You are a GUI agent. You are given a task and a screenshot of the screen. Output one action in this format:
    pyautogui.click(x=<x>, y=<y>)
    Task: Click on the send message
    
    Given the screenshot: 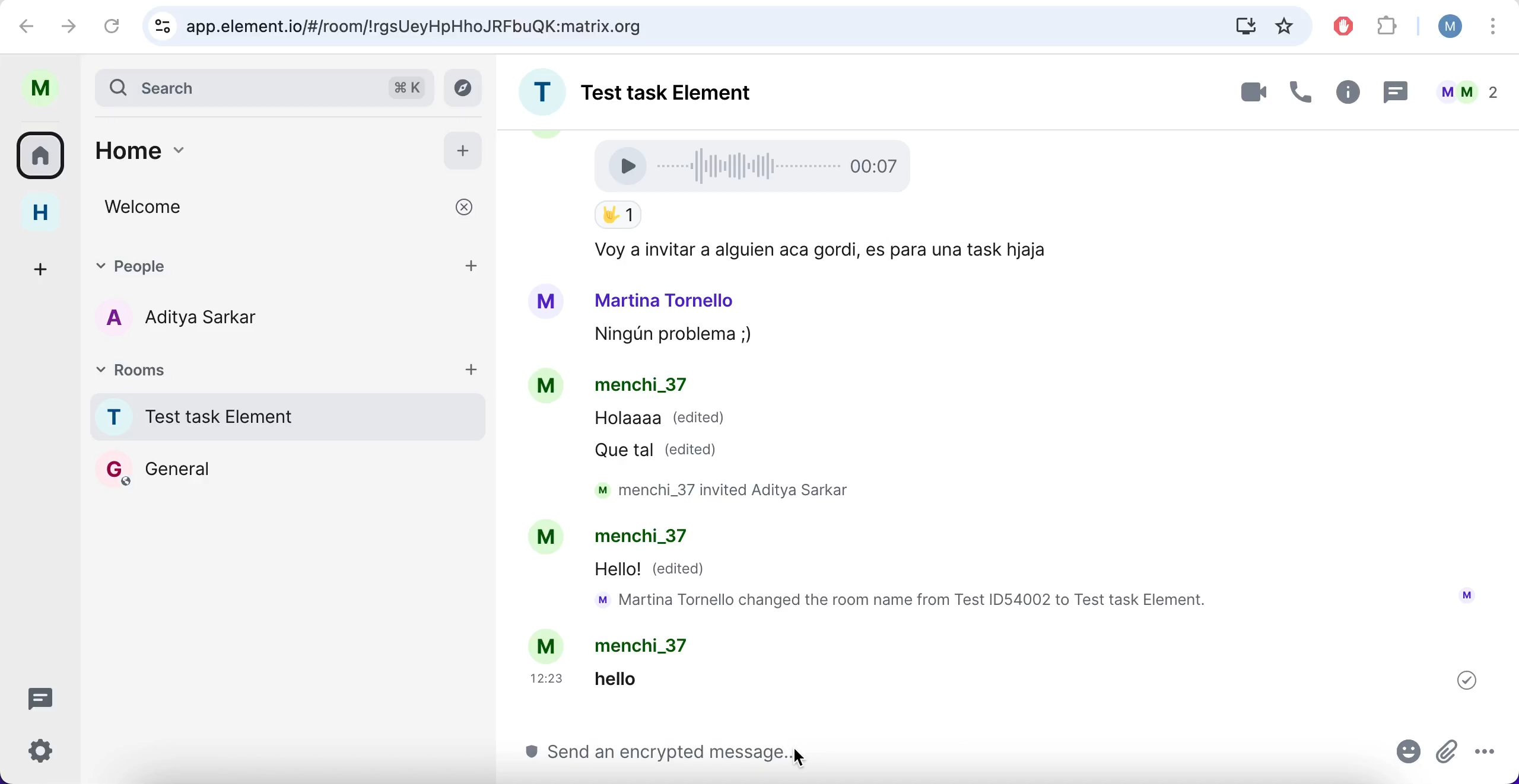 What is the action you would take?
    pyautogui.click(x=940, y=756)
    